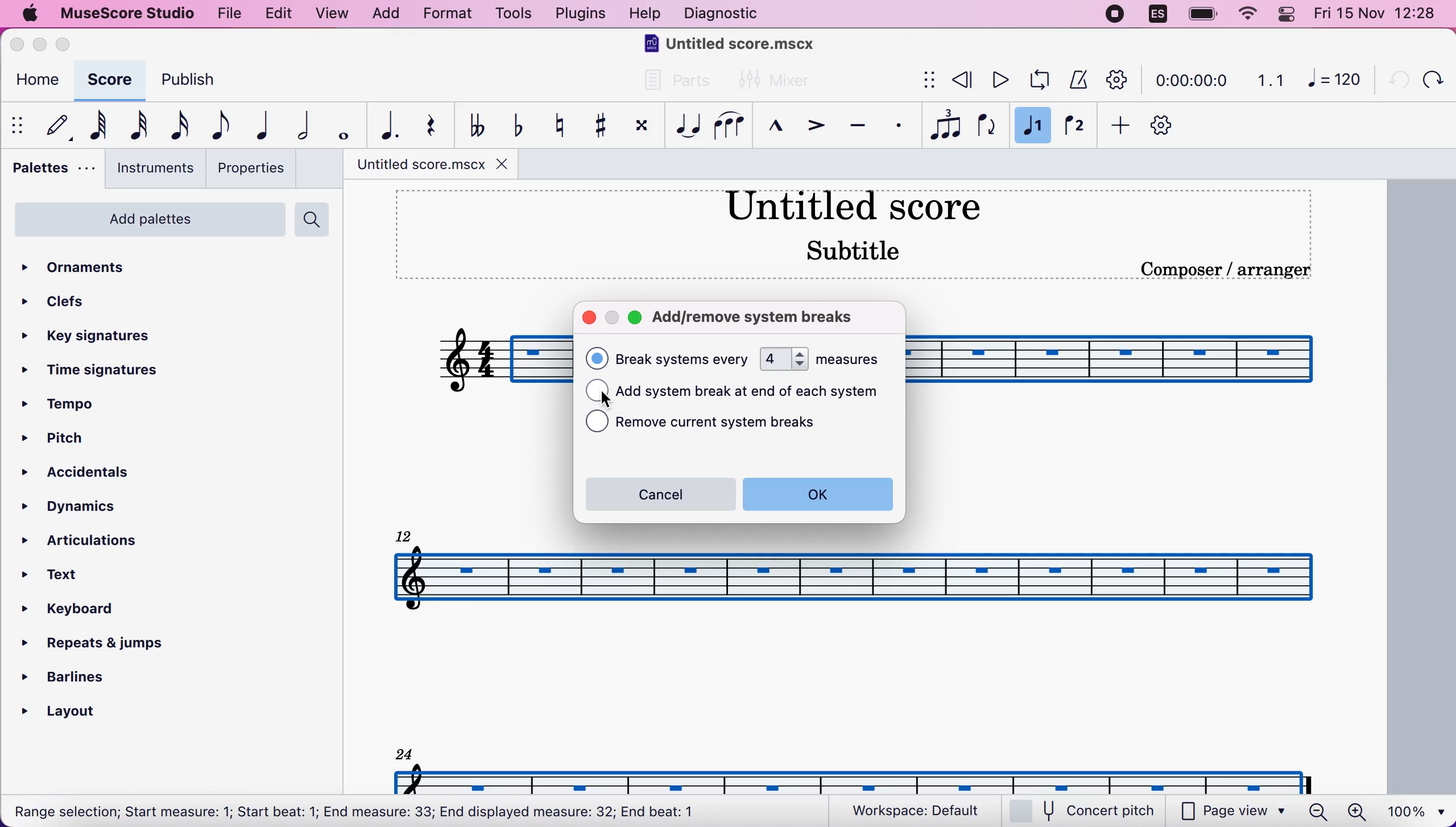 The image size is (1456, 827). What do you see at coordinates (998, 80) in the screenshot?
I see `play` at bounding box center [998, 80].